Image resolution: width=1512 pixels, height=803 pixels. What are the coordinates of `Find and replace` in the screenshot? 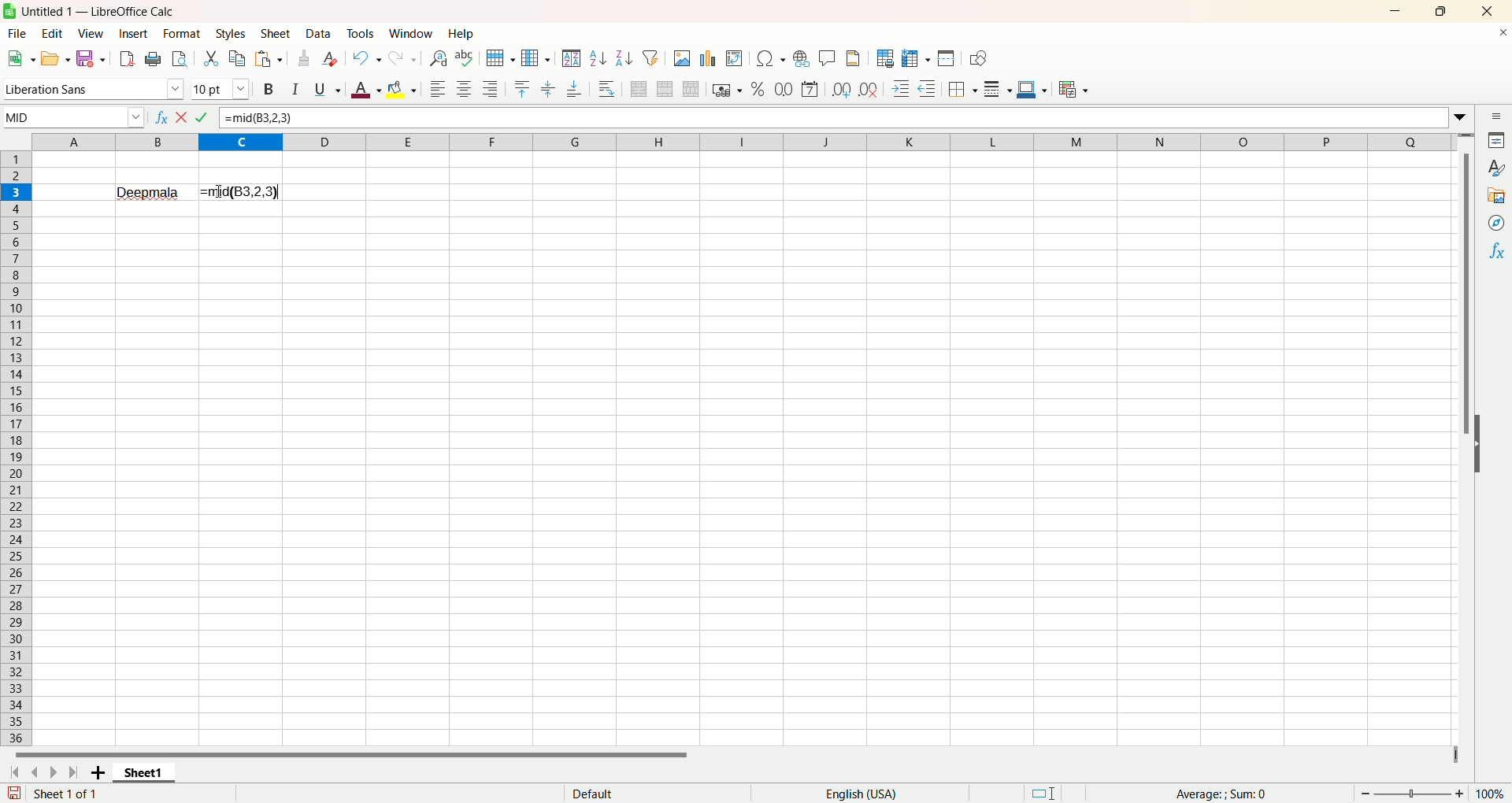 It's located at (439, 58).